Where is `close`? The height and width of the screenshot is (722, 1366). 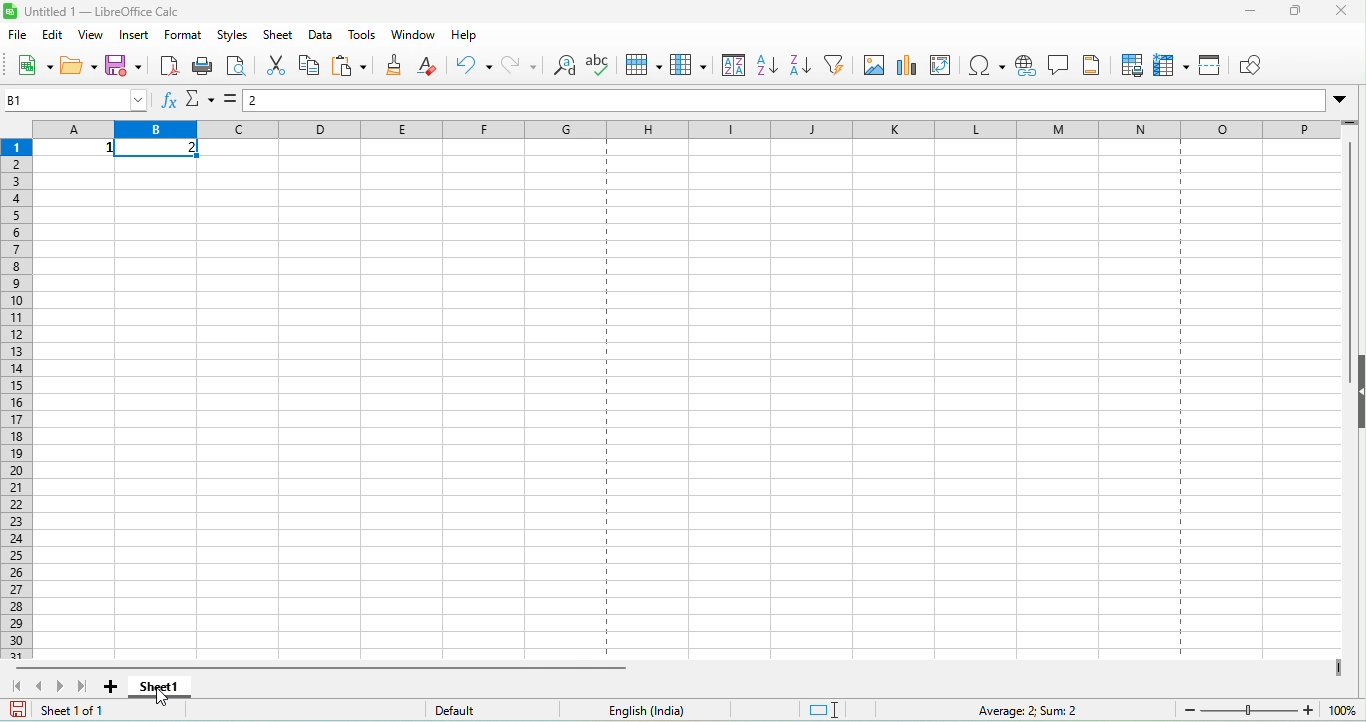 close is located at coordinates (1346, 15).